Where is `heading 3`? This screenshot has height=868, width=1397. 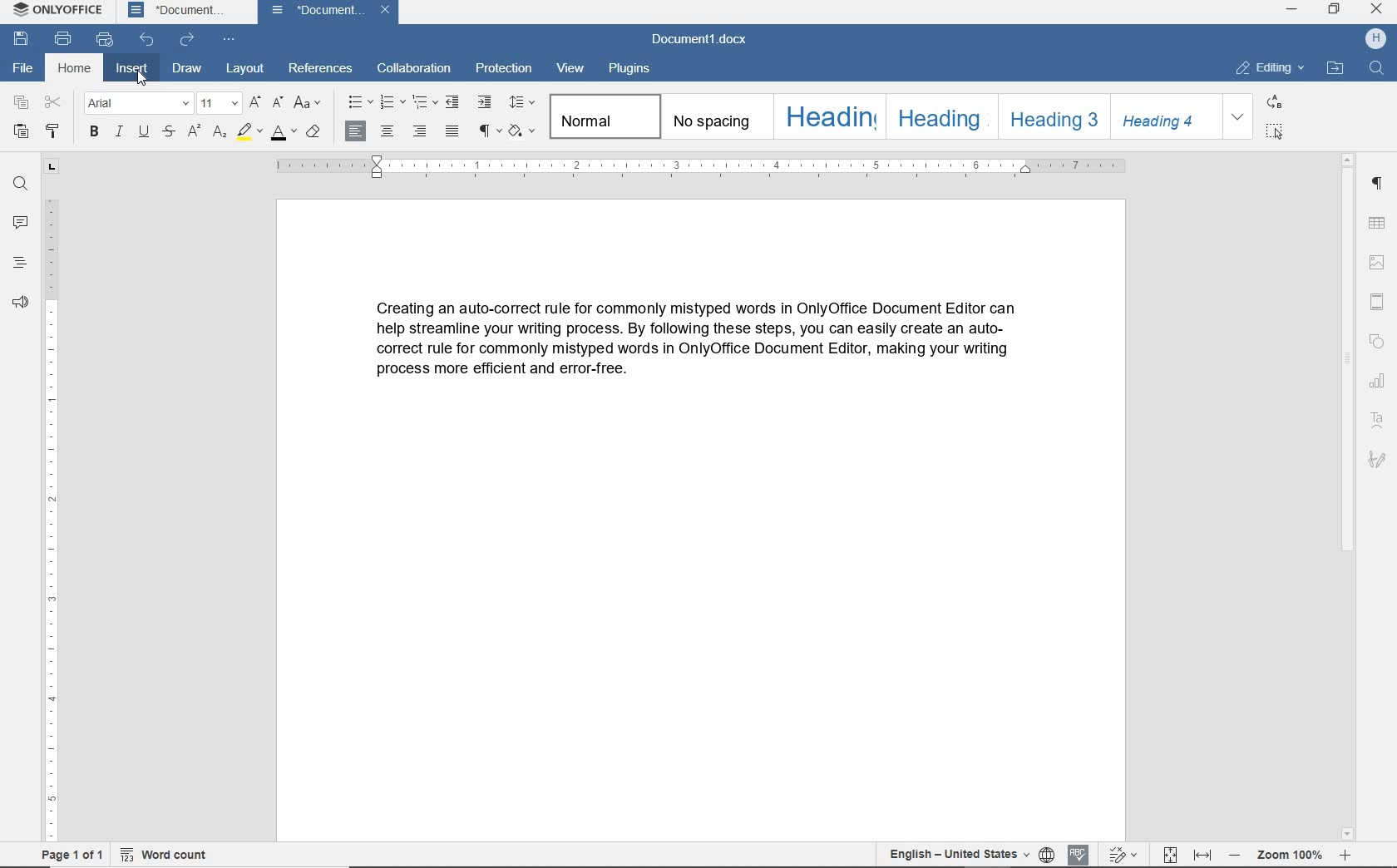
heading 3 is located at coordinates (1054, 117).